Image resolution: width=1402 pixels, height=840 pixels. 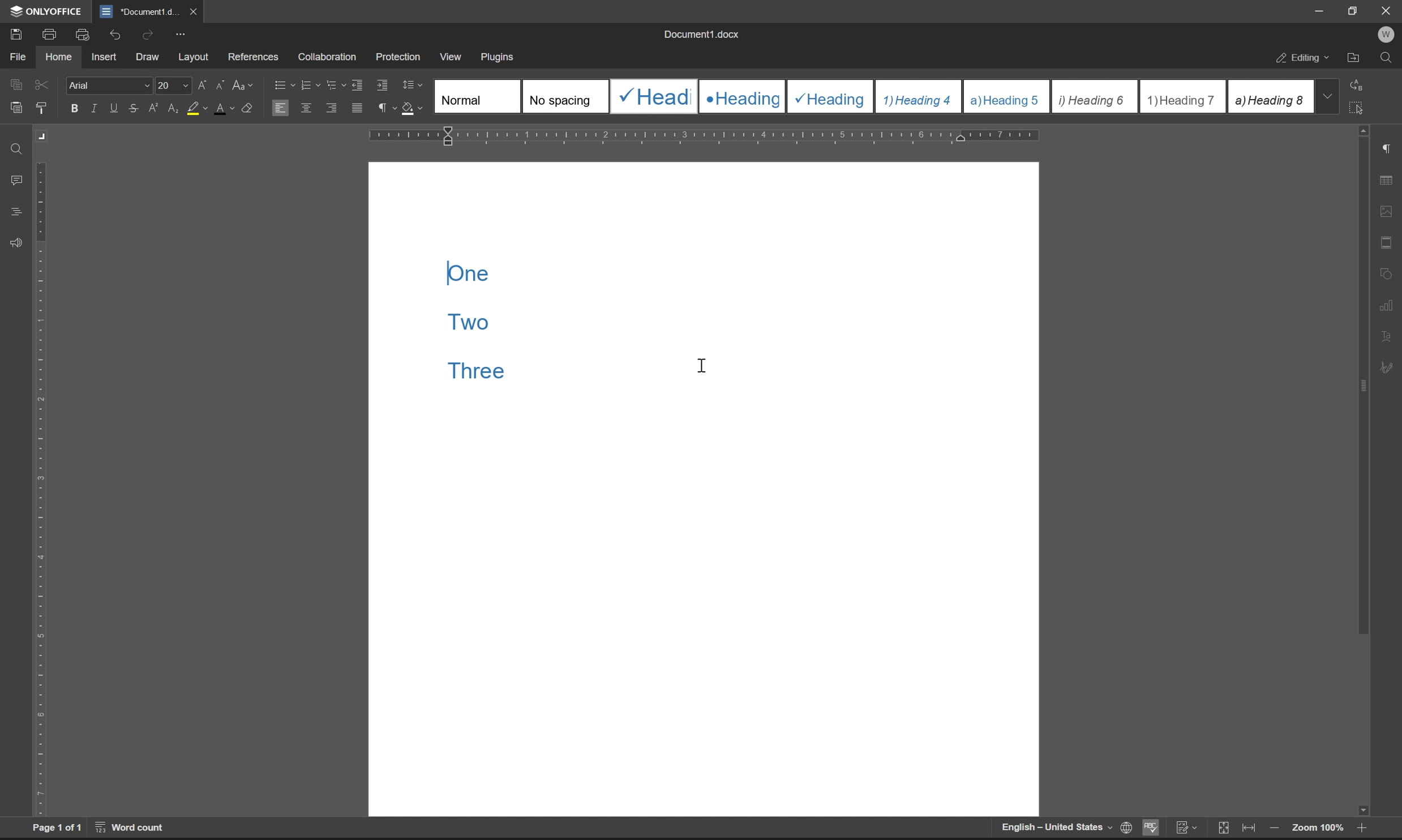 What do you see at coordinates (135, 108) in the screenshot?
I see `strikethrough` at bounding box center [135, 108].